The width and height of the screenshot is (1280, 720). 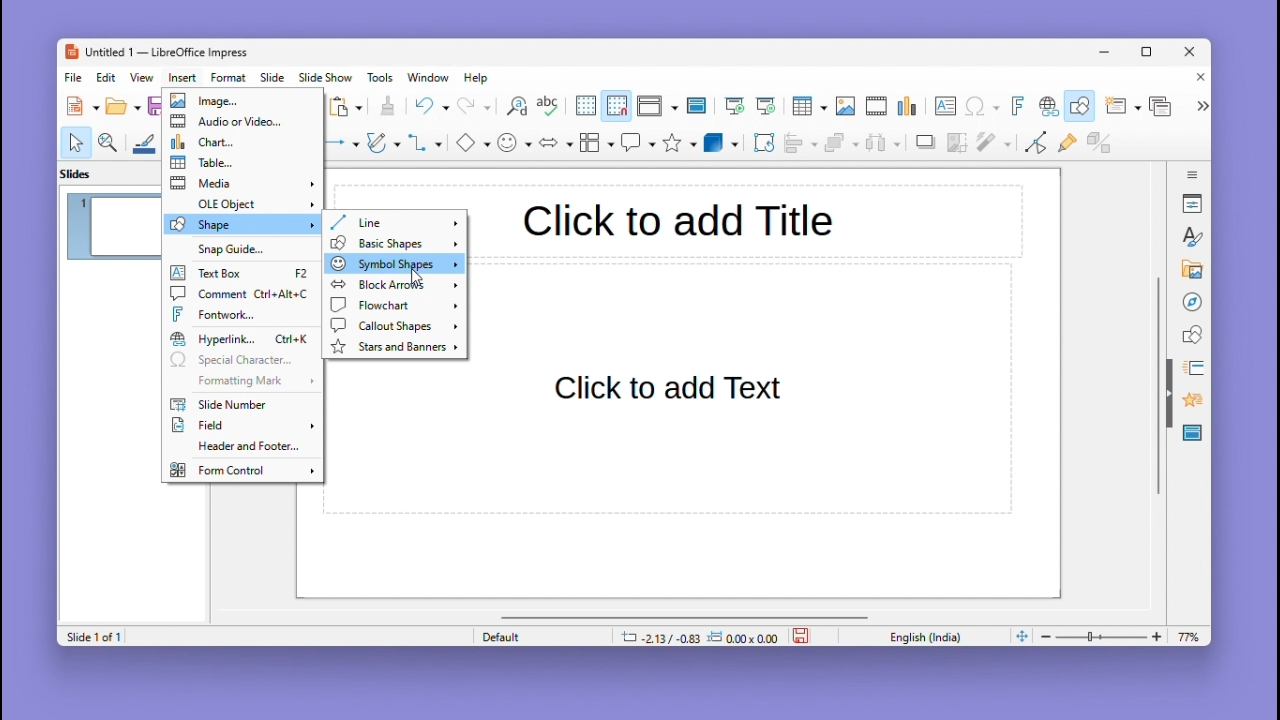 I want to click on Textbox, so click(x=242, y=274).